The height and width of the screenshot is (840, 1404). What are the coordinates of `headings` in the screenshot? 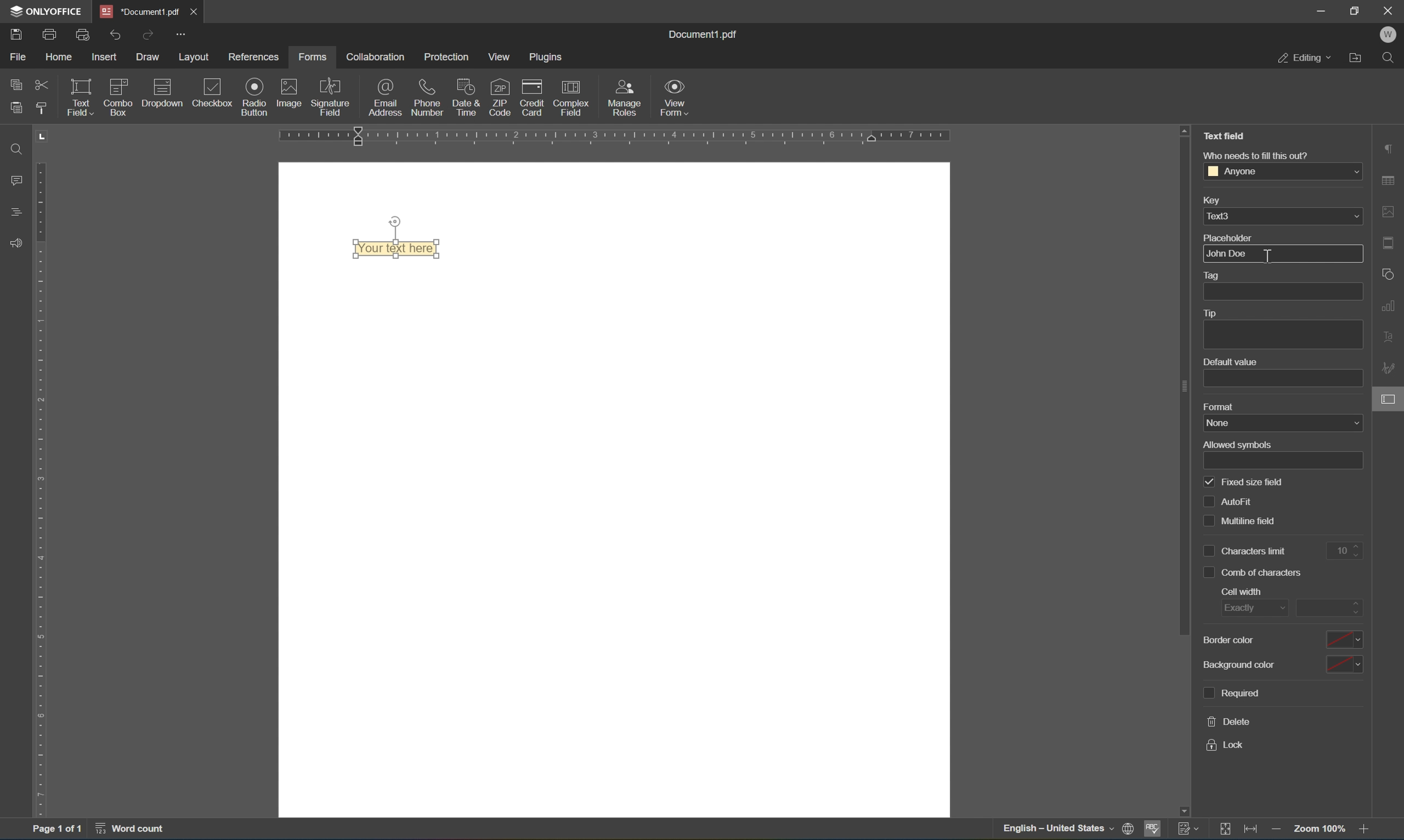 It's located at (14, 212).